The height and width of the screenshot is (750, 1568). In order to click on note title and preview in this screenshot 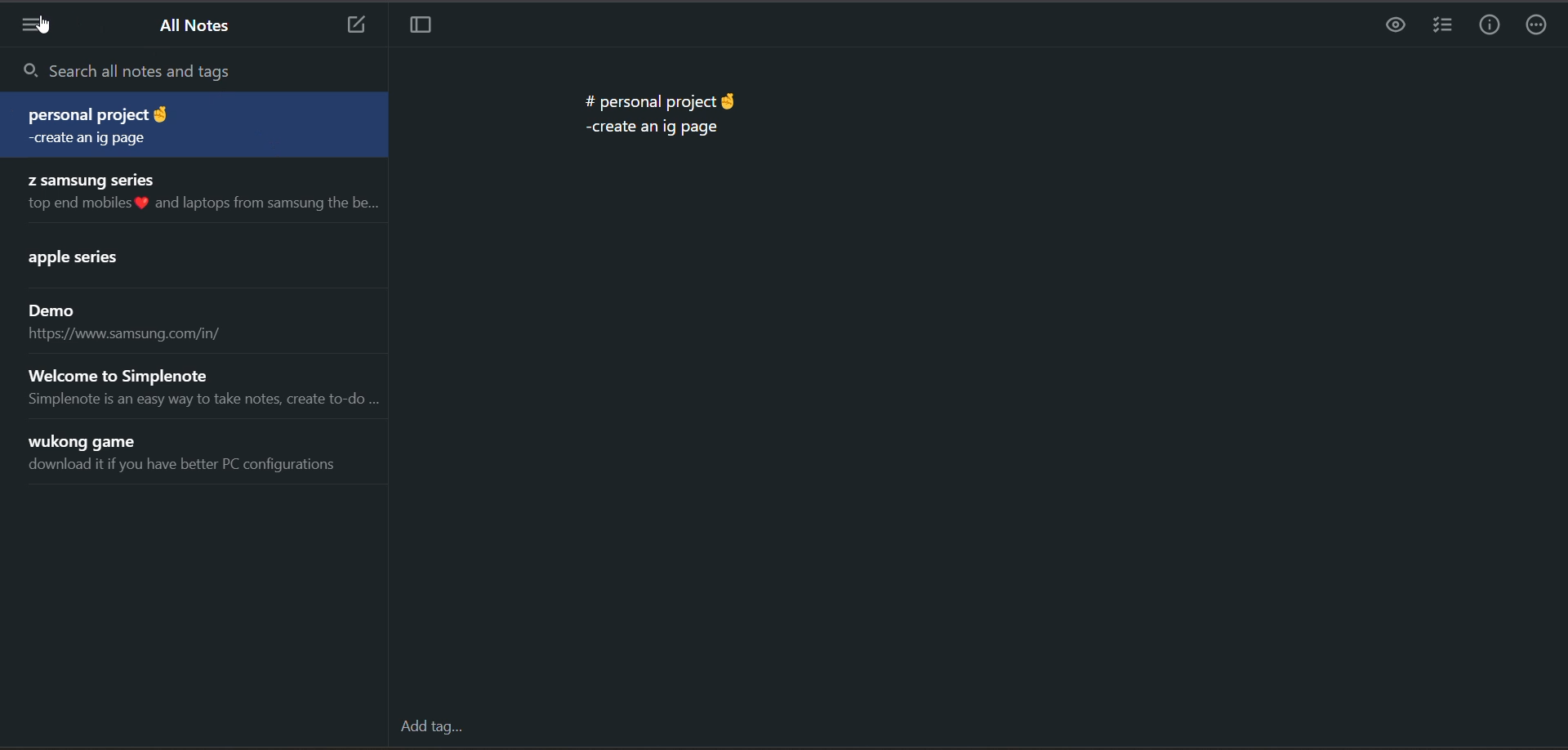, I will do `click(120, 259)`.